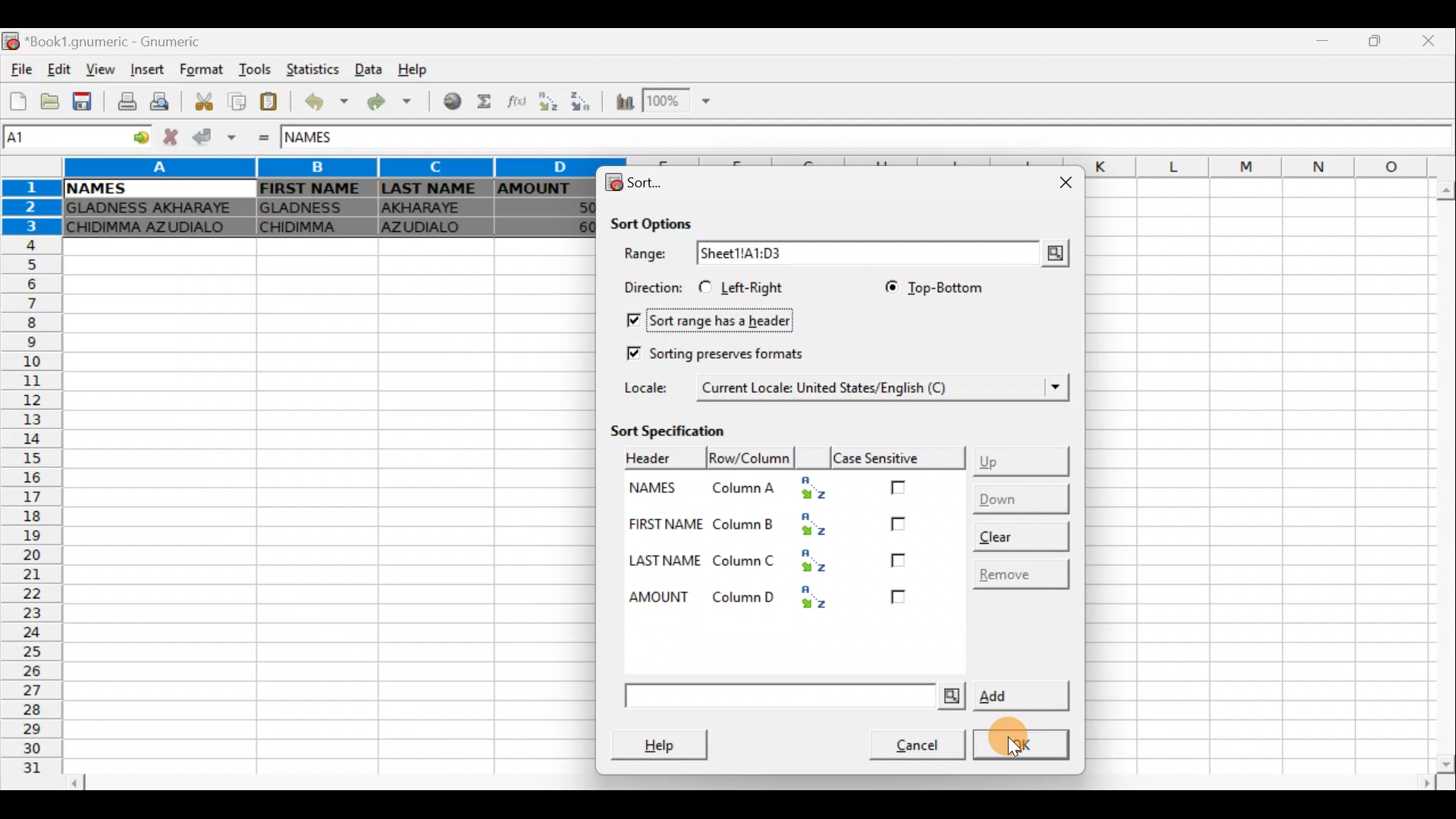 The width and height of the screenshot is (1456, 819). What do you see at coordinates (486, 102) in the screenshot?
I see `Sum into the current cell` at bounding box center [486, 102].